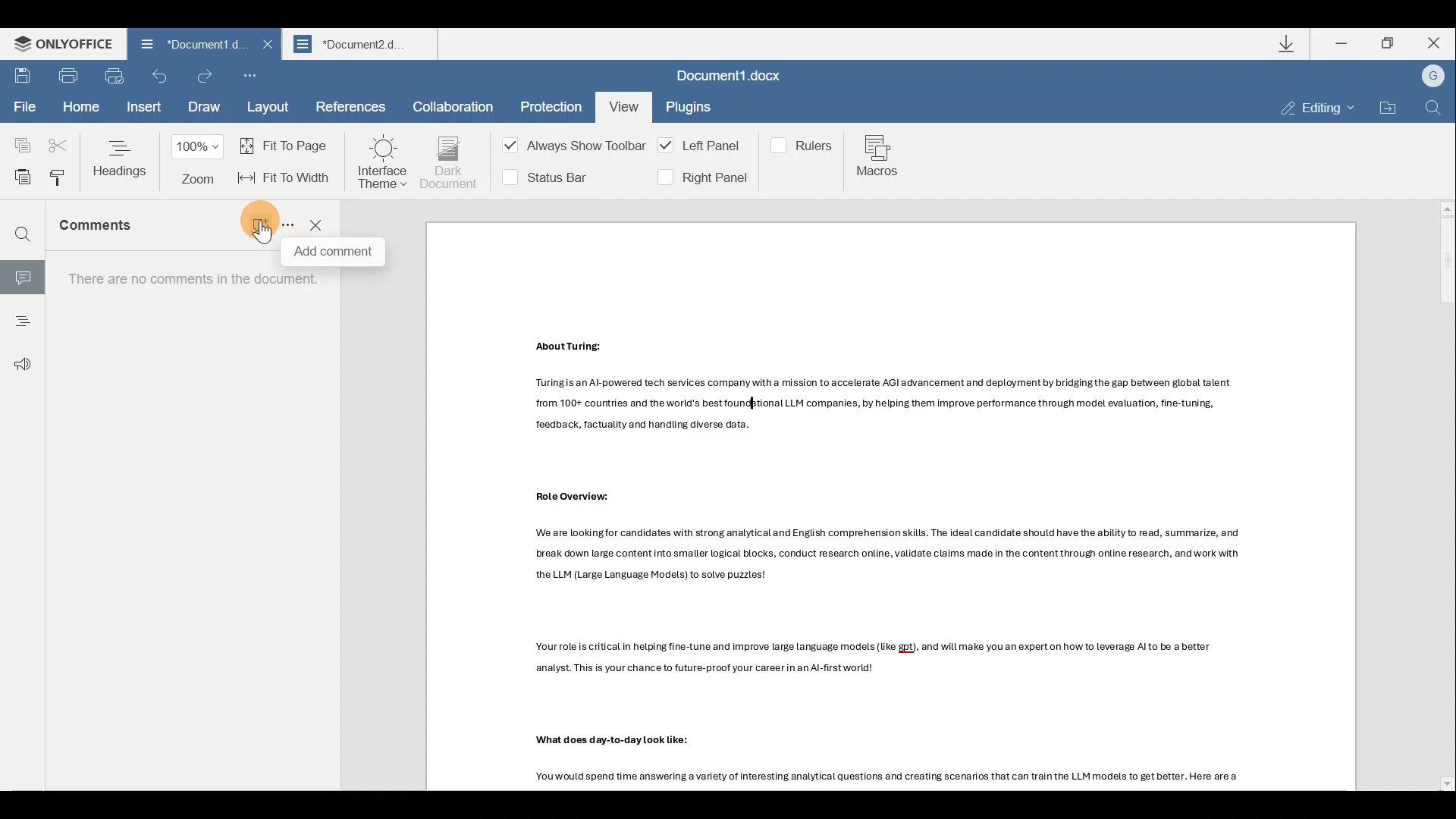 This screenshot has height=819, width=1456. I want to click on Collaboration, so click(453, 105).